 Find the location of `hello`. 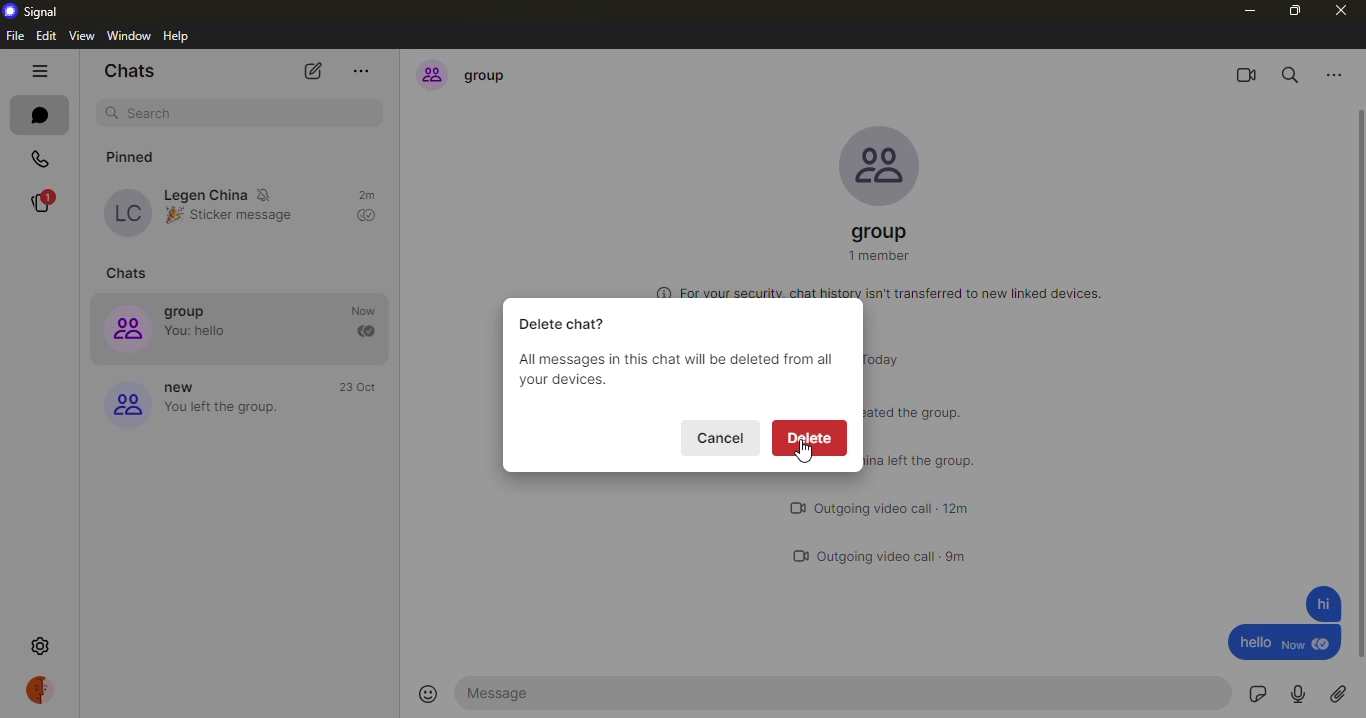

hello is located at coordinates (1253, 644).